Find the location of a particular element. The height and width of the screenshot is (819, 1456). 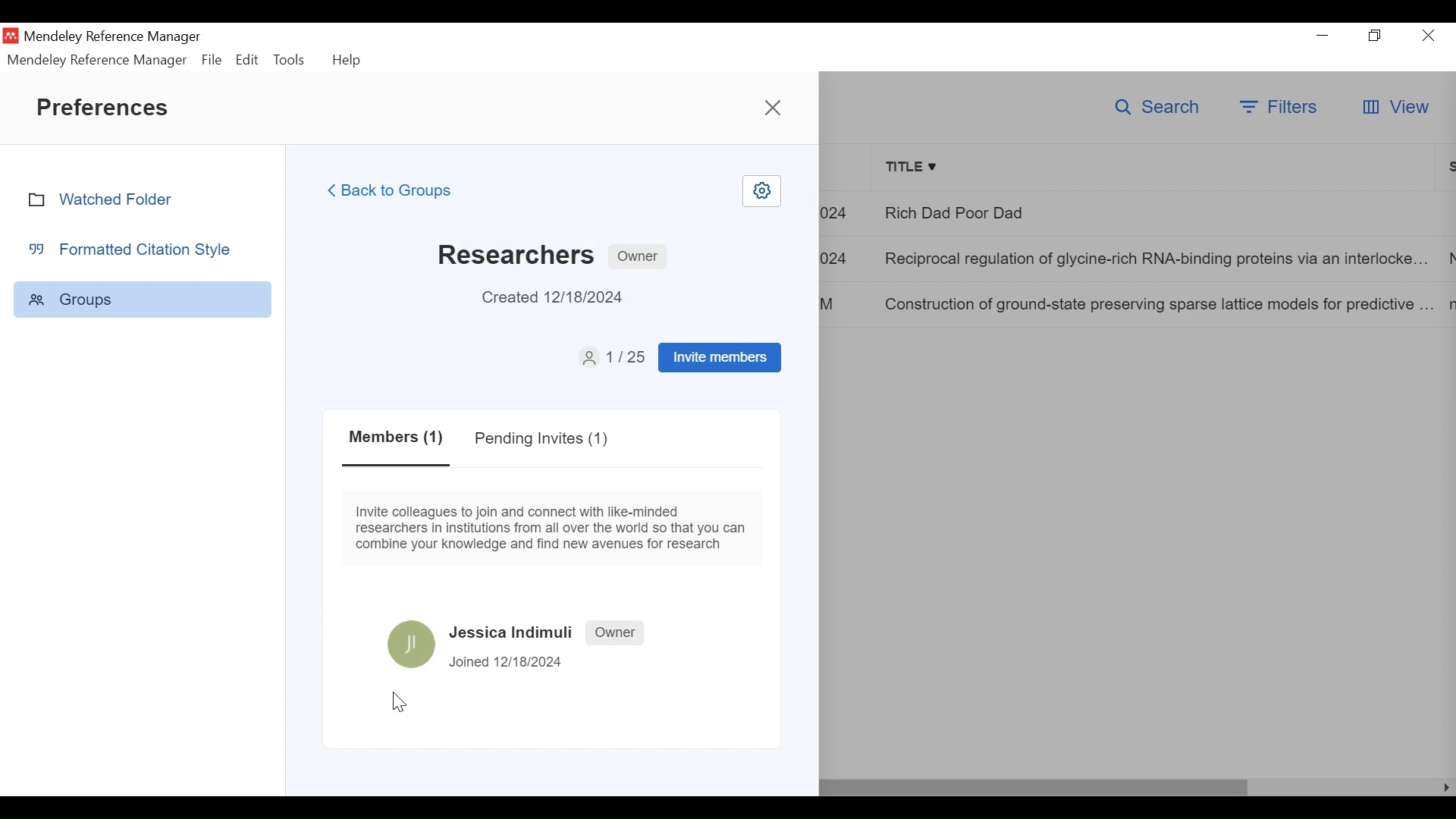

Construction of ground-state preserving sparse lattice models for predictive.. is located at coordinates (1157, 303).